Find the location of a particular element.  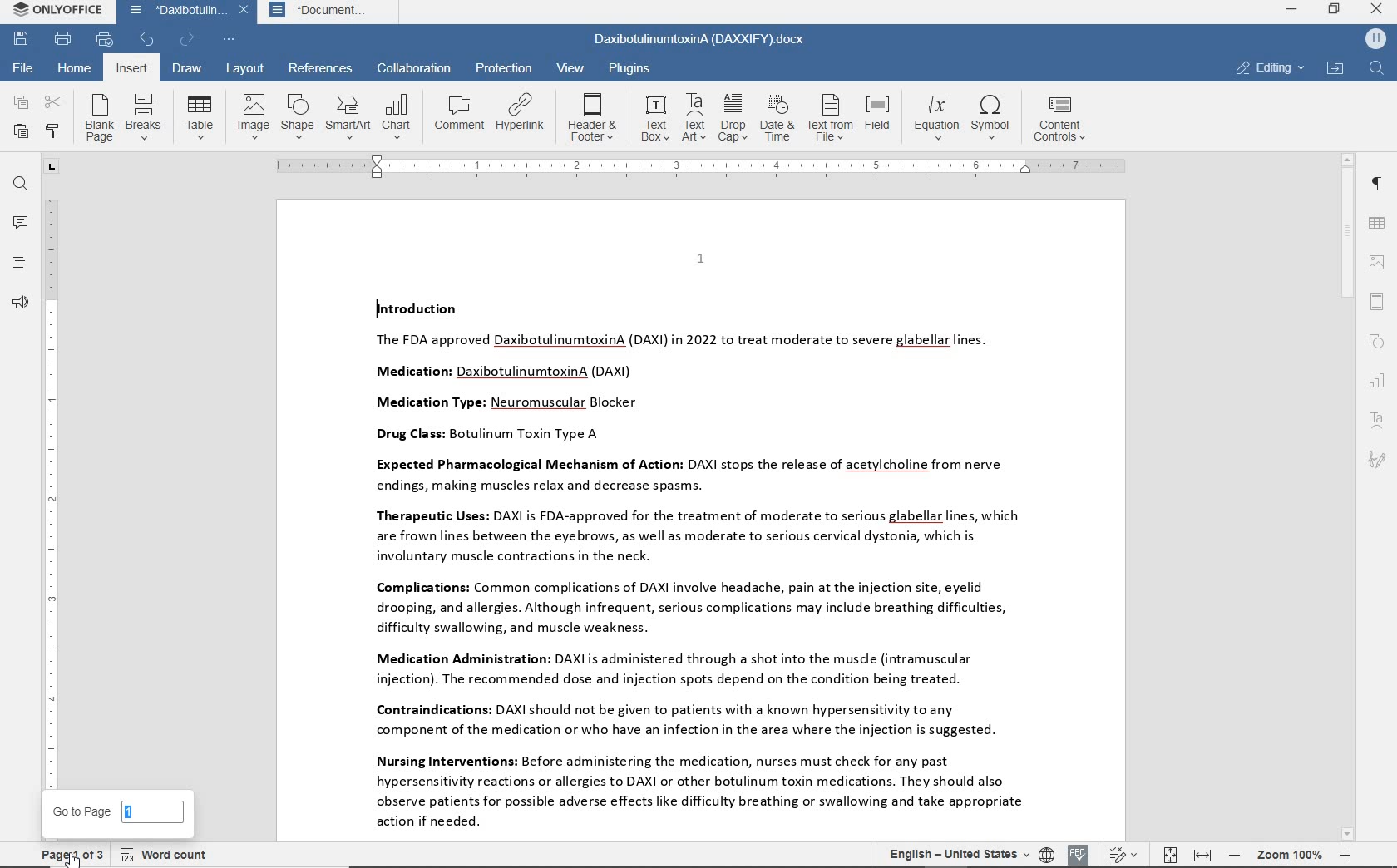

find is located at coordinates (22, 186).